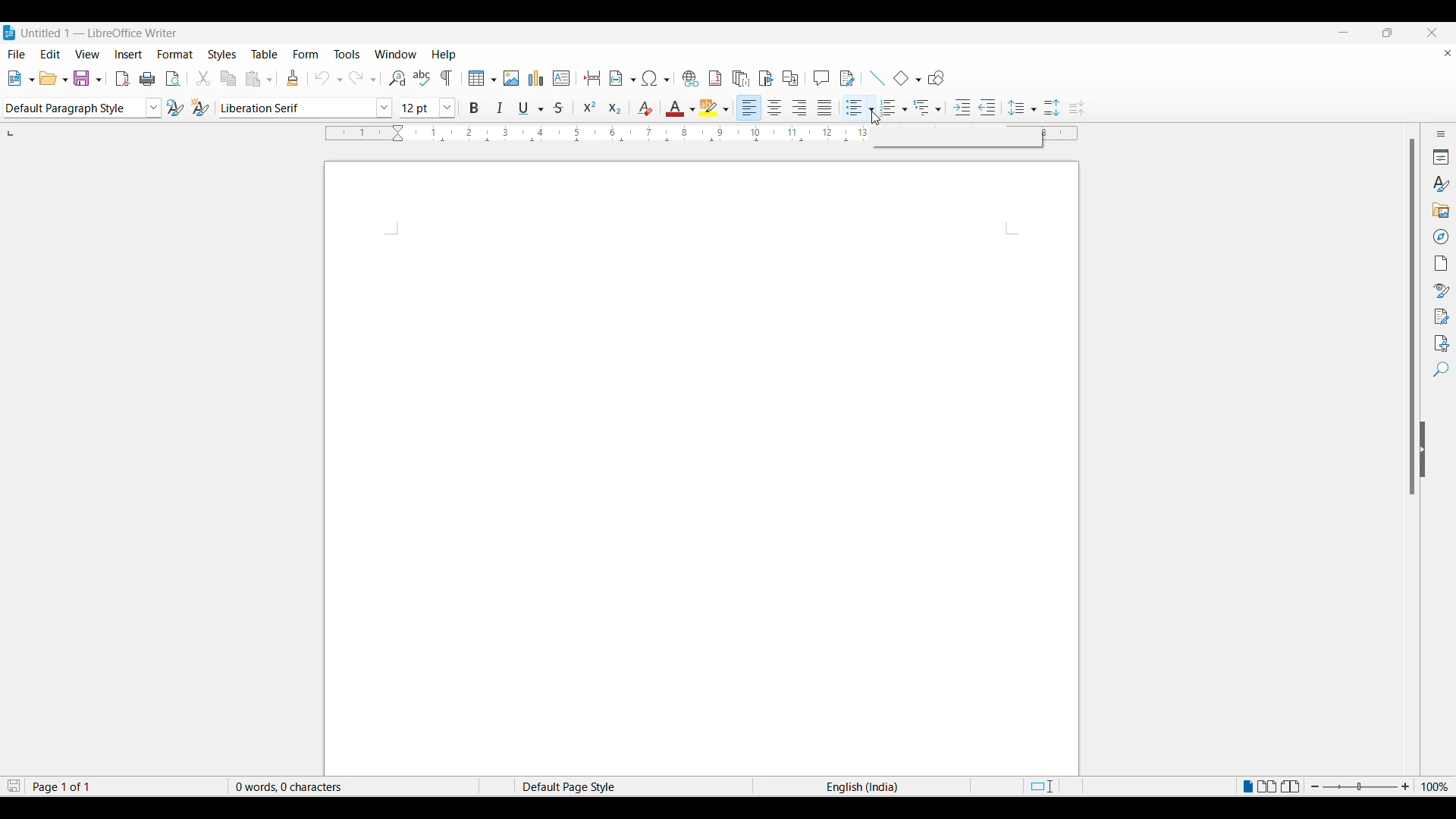 Image resolution: width=1456 pixels, height=819 pixels. I want to click on insert special character, so click(656, 79).